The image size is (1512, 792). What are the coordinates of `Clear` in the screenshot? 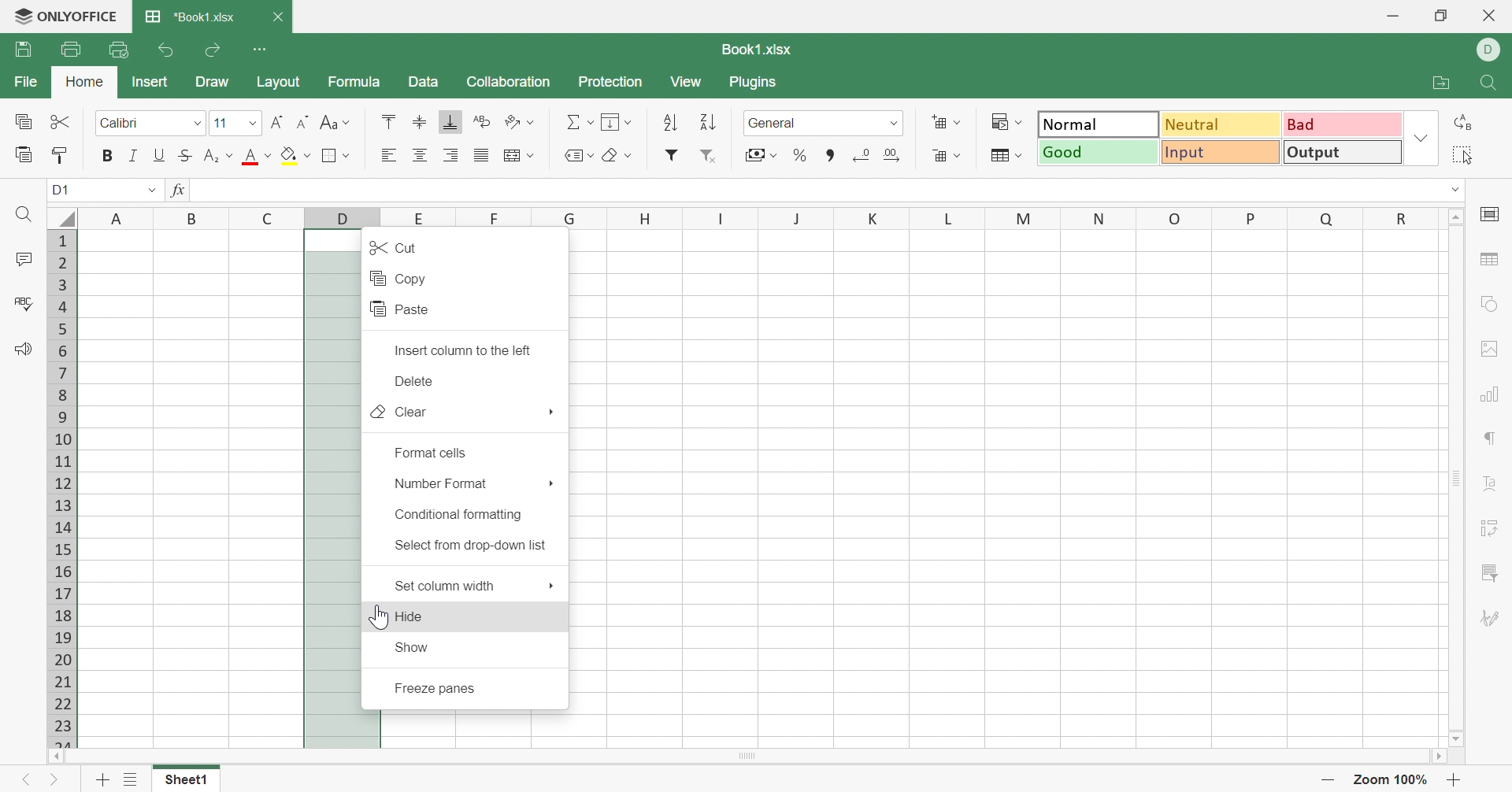 It's located at (400, 411).